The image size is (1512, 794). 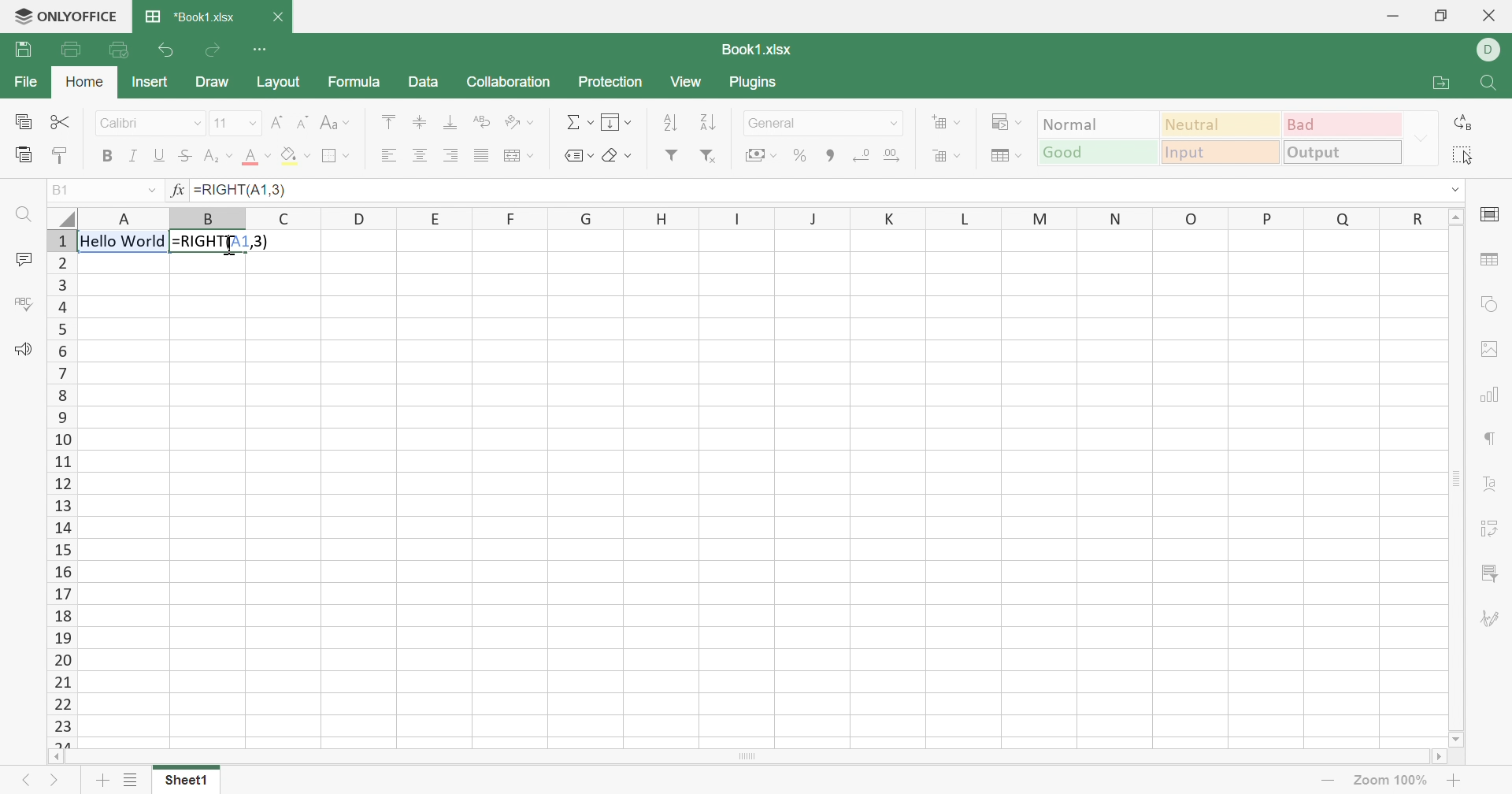 What do you see at coordinates (218, 157) in the screenshot?
I see `Subscript` at bounding box center [218, 157].